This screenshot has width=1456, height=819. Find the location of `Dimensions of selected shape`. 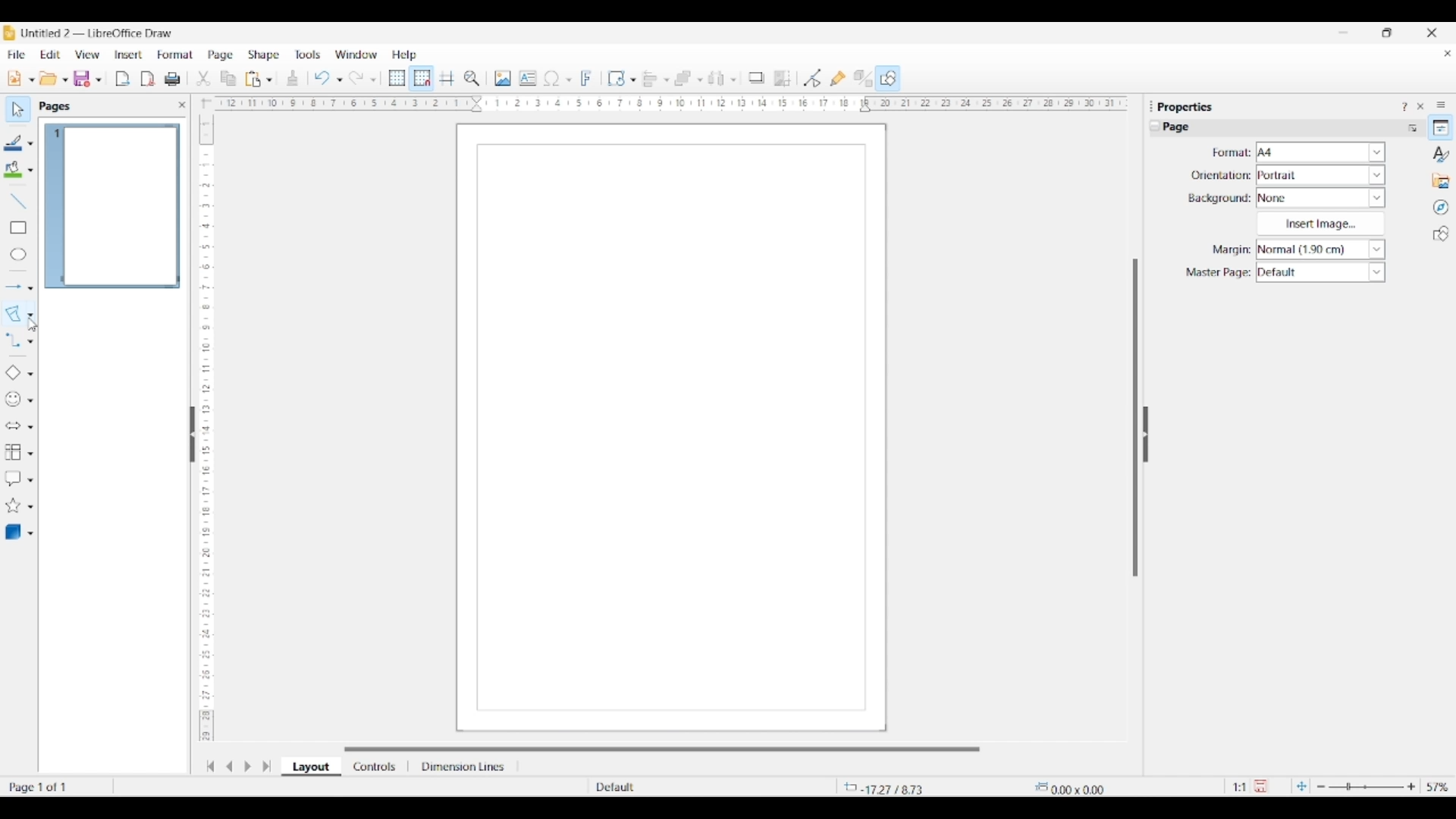

Dimensions of selected shape is located at coordinates (1078, 787).